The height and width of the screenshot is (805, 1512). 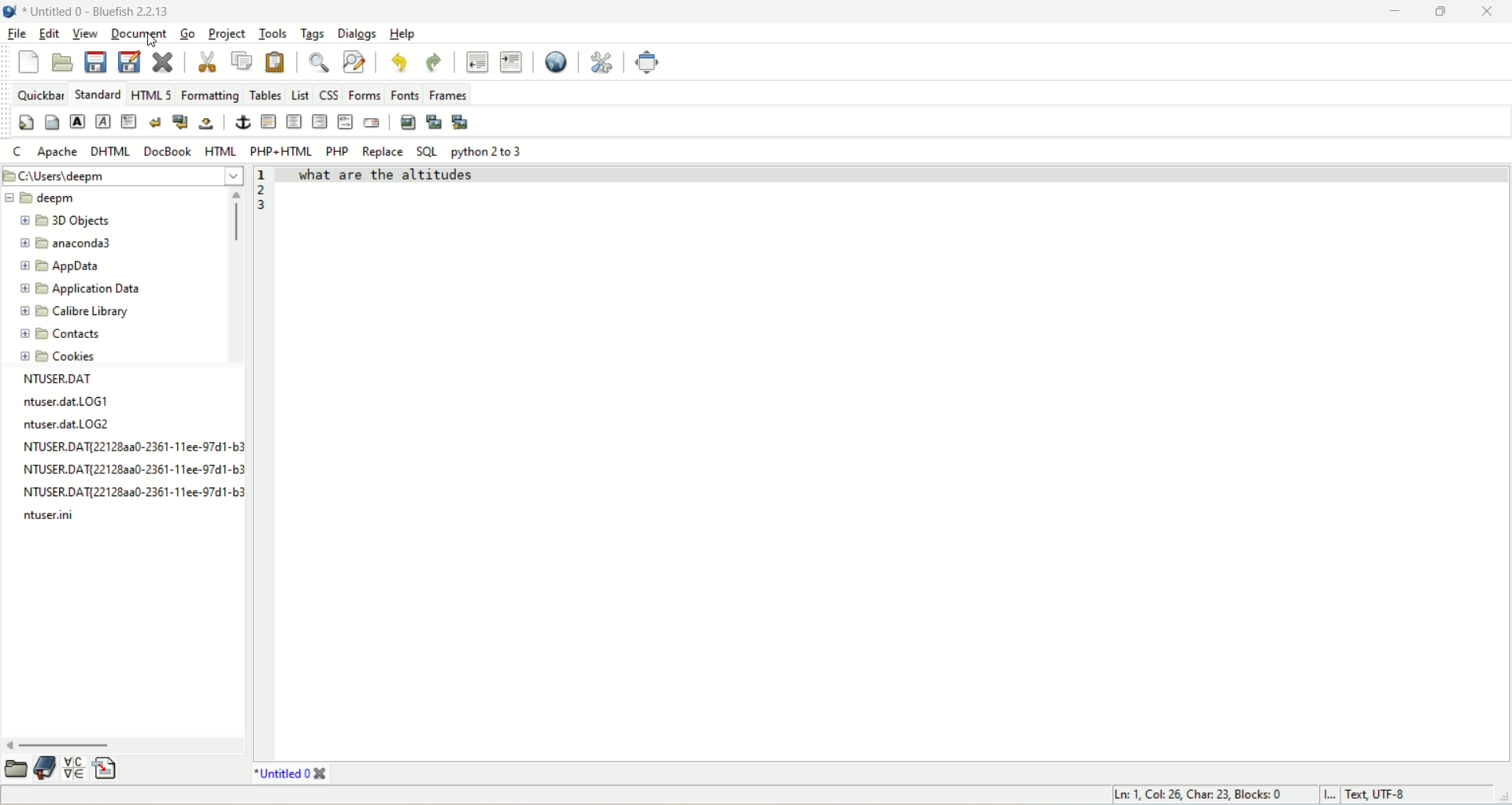 I want to click on vertical scroll bar, so click(x=234, y=276).